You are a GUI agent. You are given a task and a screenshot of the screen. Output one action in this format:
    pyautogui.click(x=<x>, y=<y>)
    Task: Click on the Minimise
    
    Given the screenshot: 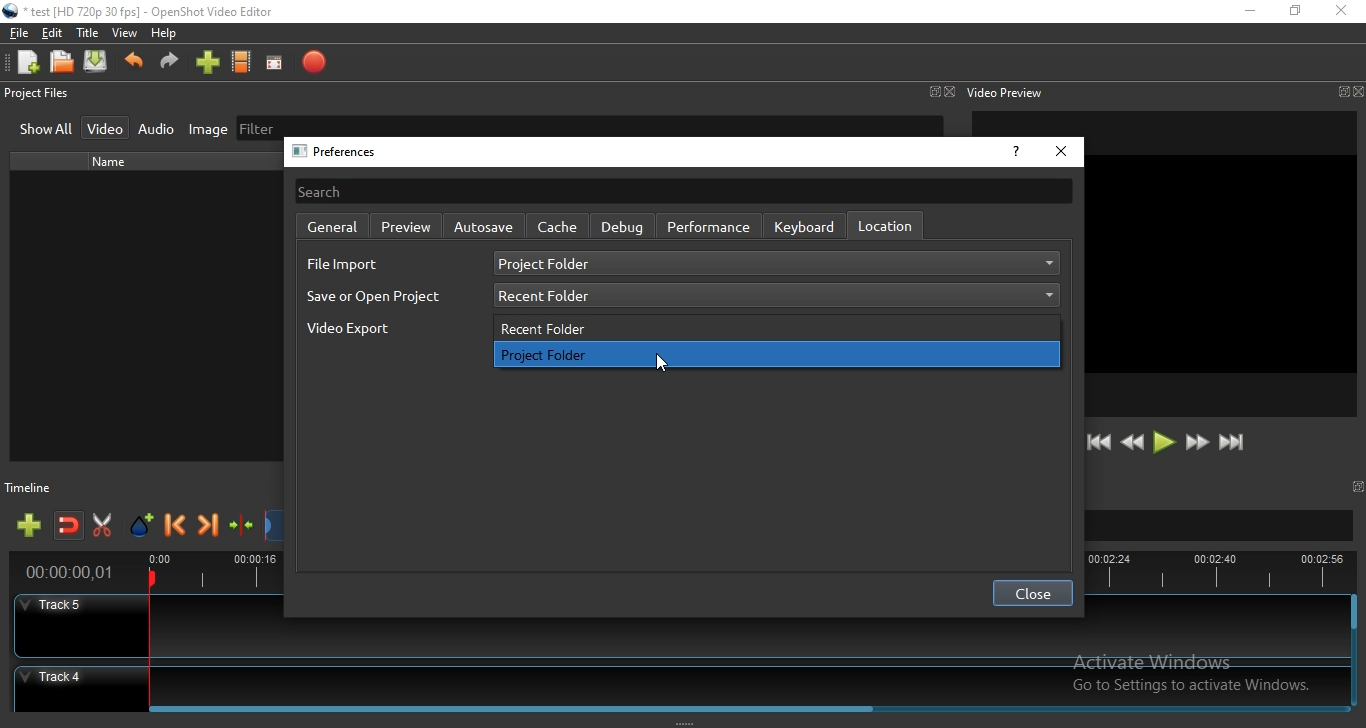 What is the action you would take?
    pyautogui.click(x=1249, y=12)
    